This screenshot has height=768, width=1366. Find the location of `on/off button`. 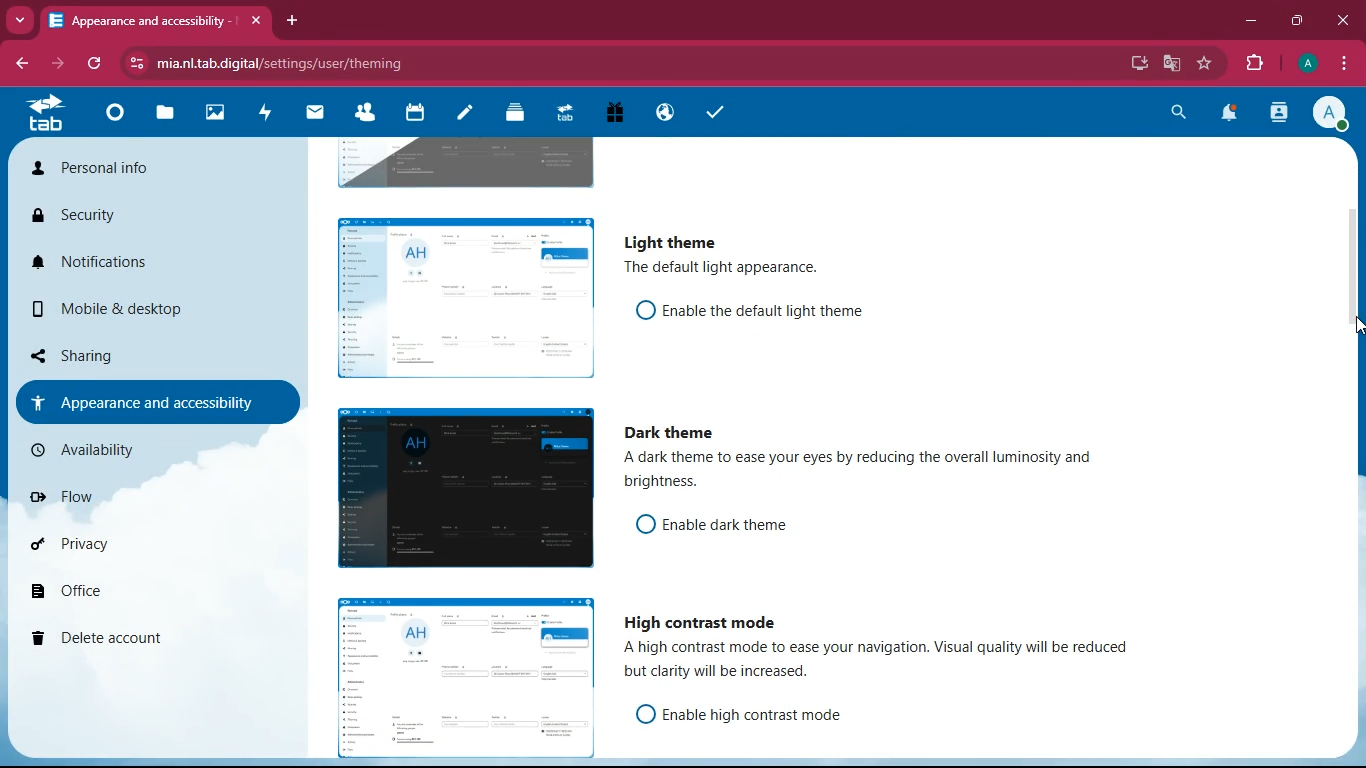

on/off button is located at coordinates (638, 309).